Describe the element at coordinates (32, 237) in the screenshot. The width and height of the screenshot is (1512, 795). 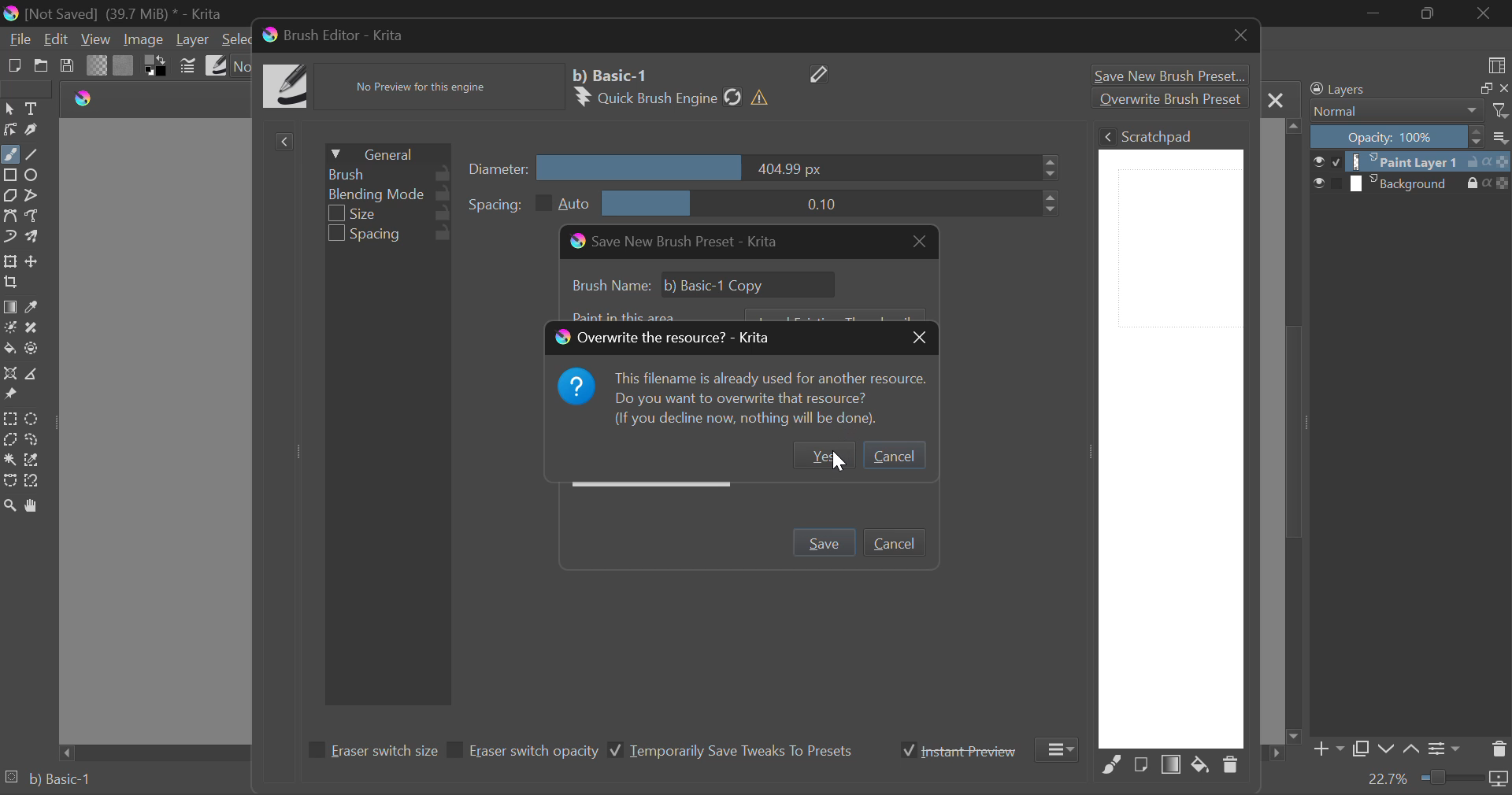
I see `Multibrush Tool` at that location.